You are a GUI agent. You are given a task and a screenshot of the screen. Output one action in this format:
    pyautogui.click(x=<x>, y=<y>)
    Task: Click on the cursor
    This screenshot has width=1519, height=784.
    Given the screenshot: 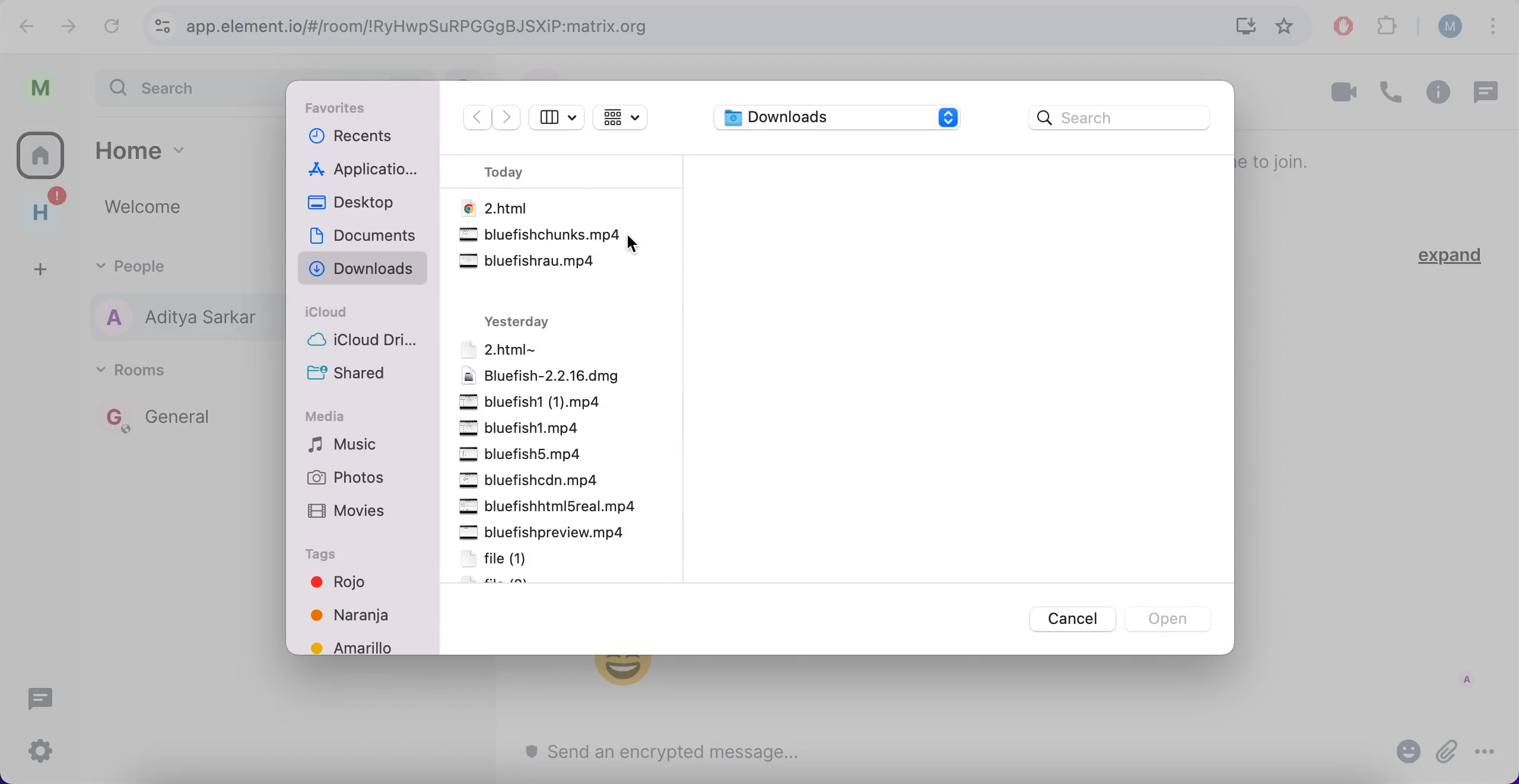 What is the action you would take?
    pyautogui.click(x=633, y=244)
    